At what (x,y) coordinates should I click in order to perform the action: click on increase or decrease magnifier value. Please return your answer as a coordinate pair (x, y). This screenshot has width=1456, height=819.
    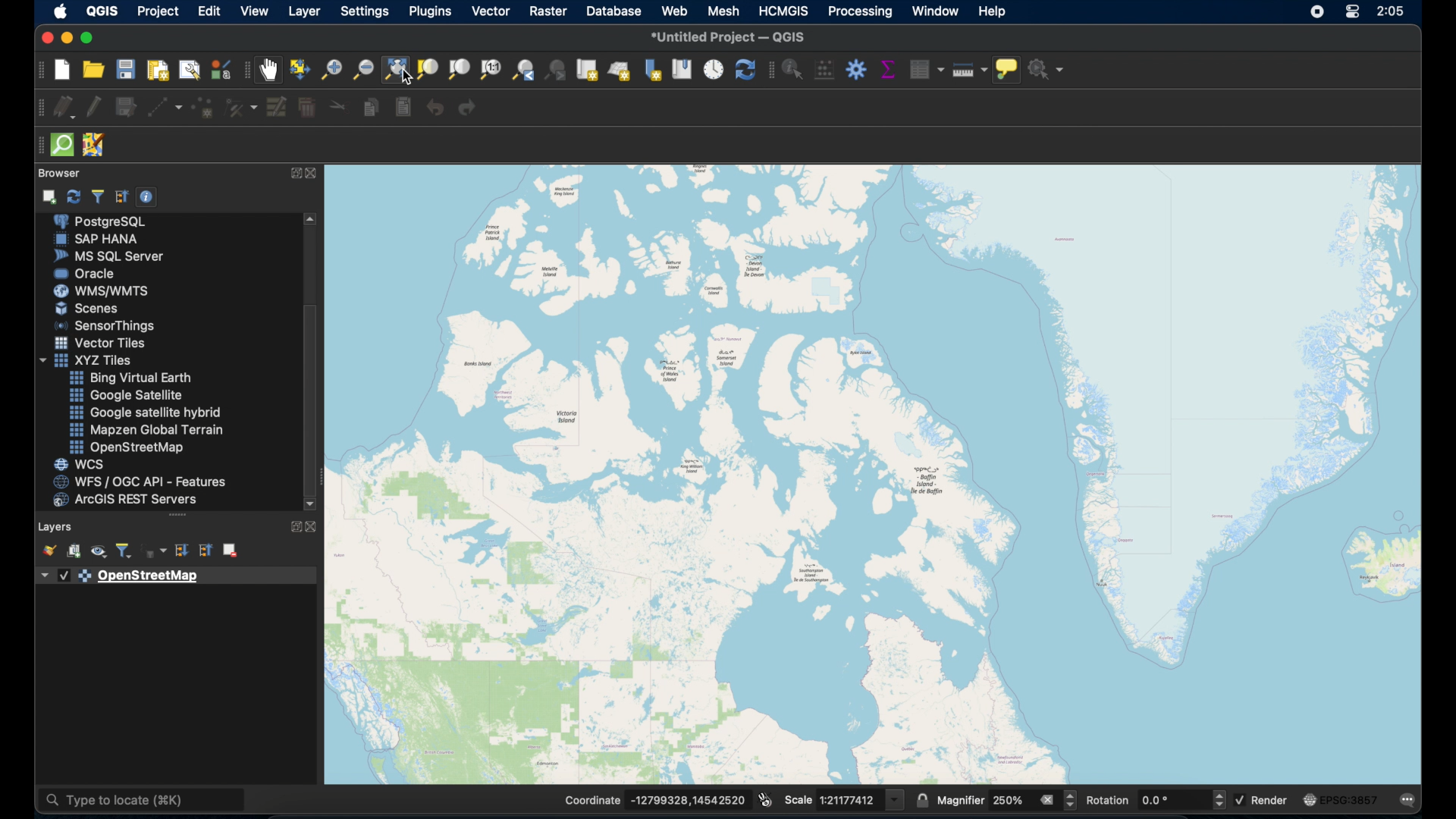
    Looking at the image, I should click on (1071, 801).